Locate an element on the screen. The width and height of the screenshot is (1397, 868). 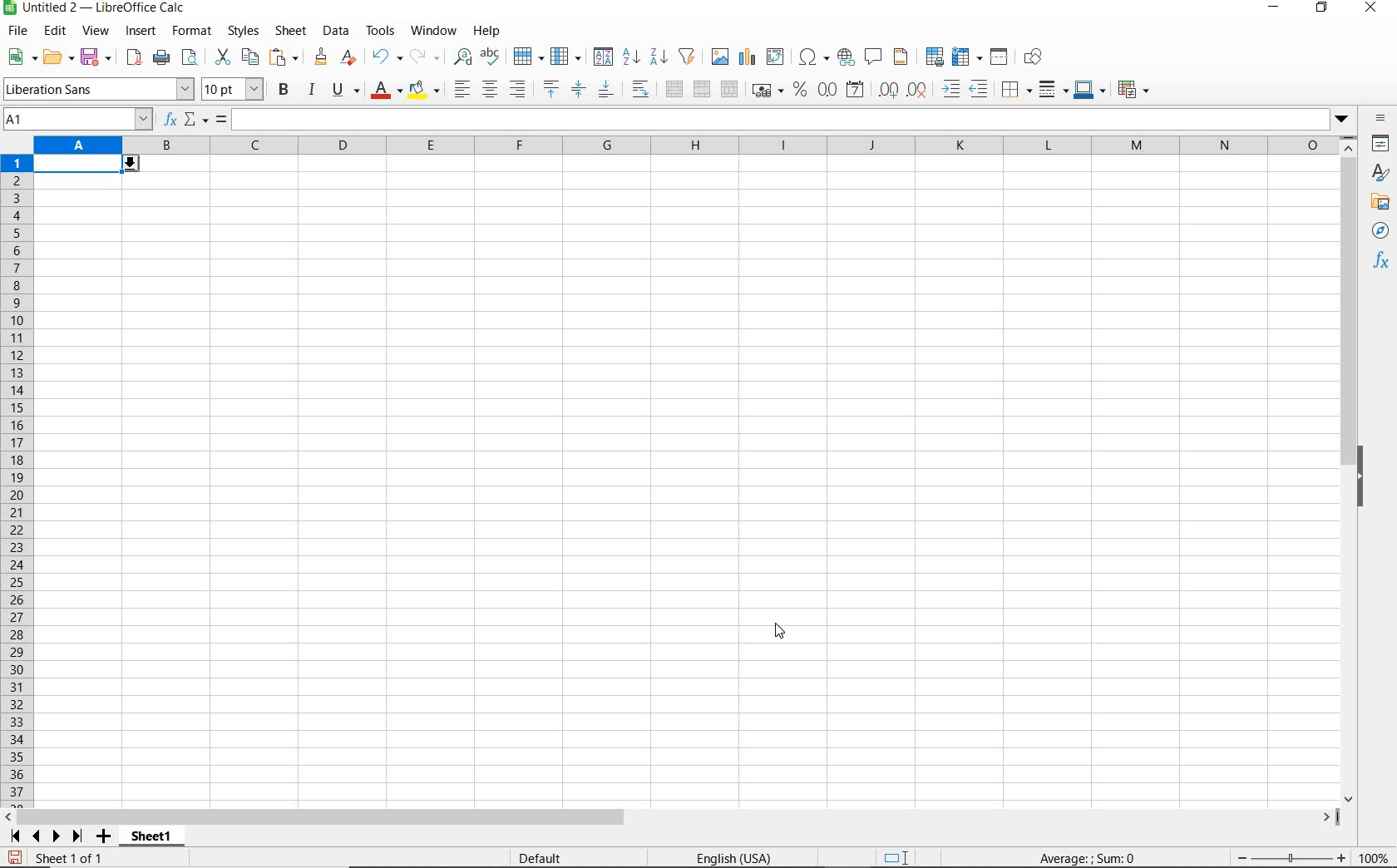
border color is located at coordinates (1089, 89).